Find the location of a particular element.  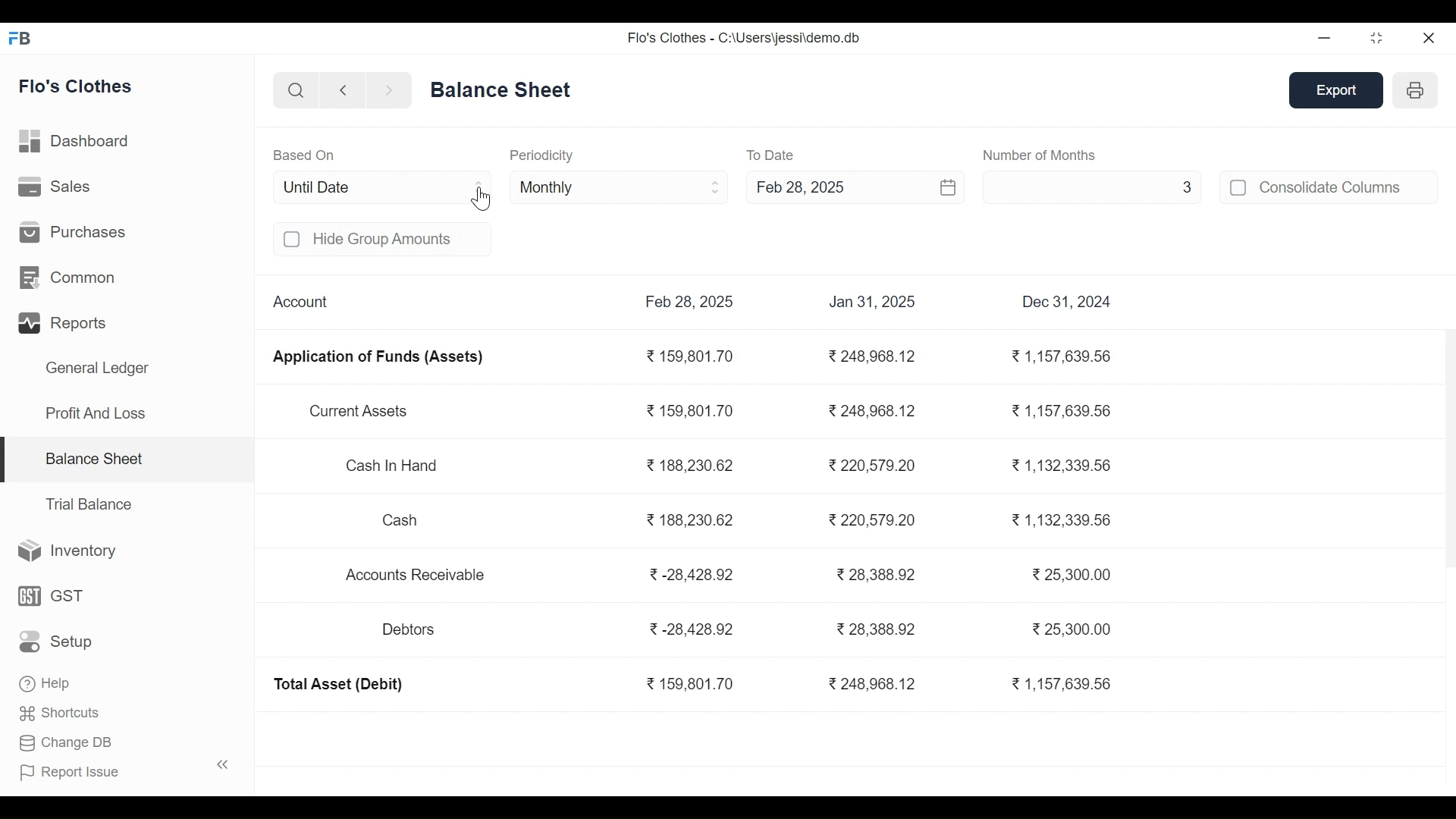

sales is located at coordinates (57, 187).